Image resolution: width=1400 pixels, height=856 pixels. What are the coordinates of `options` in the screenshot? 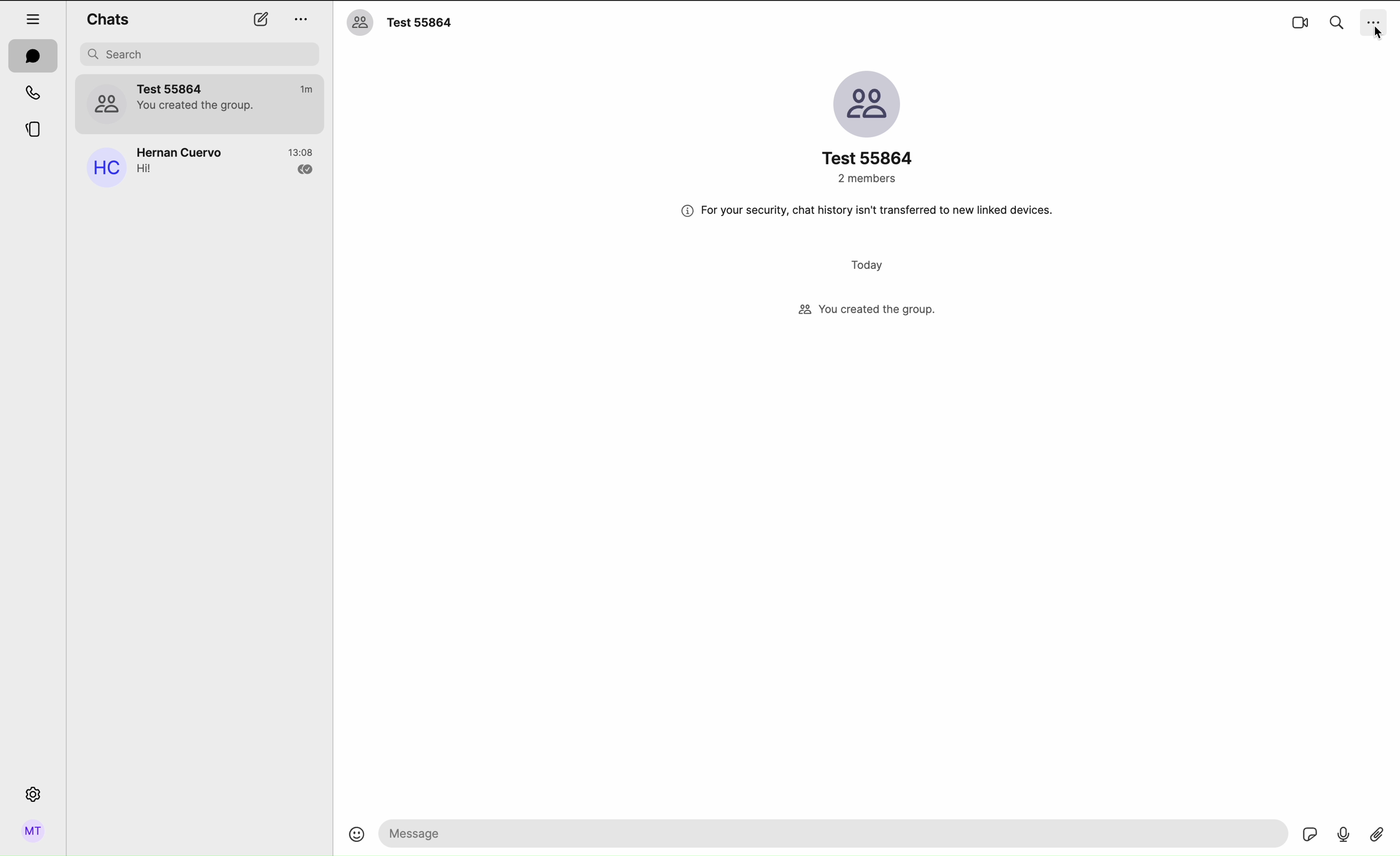 It's located at (302, 19).